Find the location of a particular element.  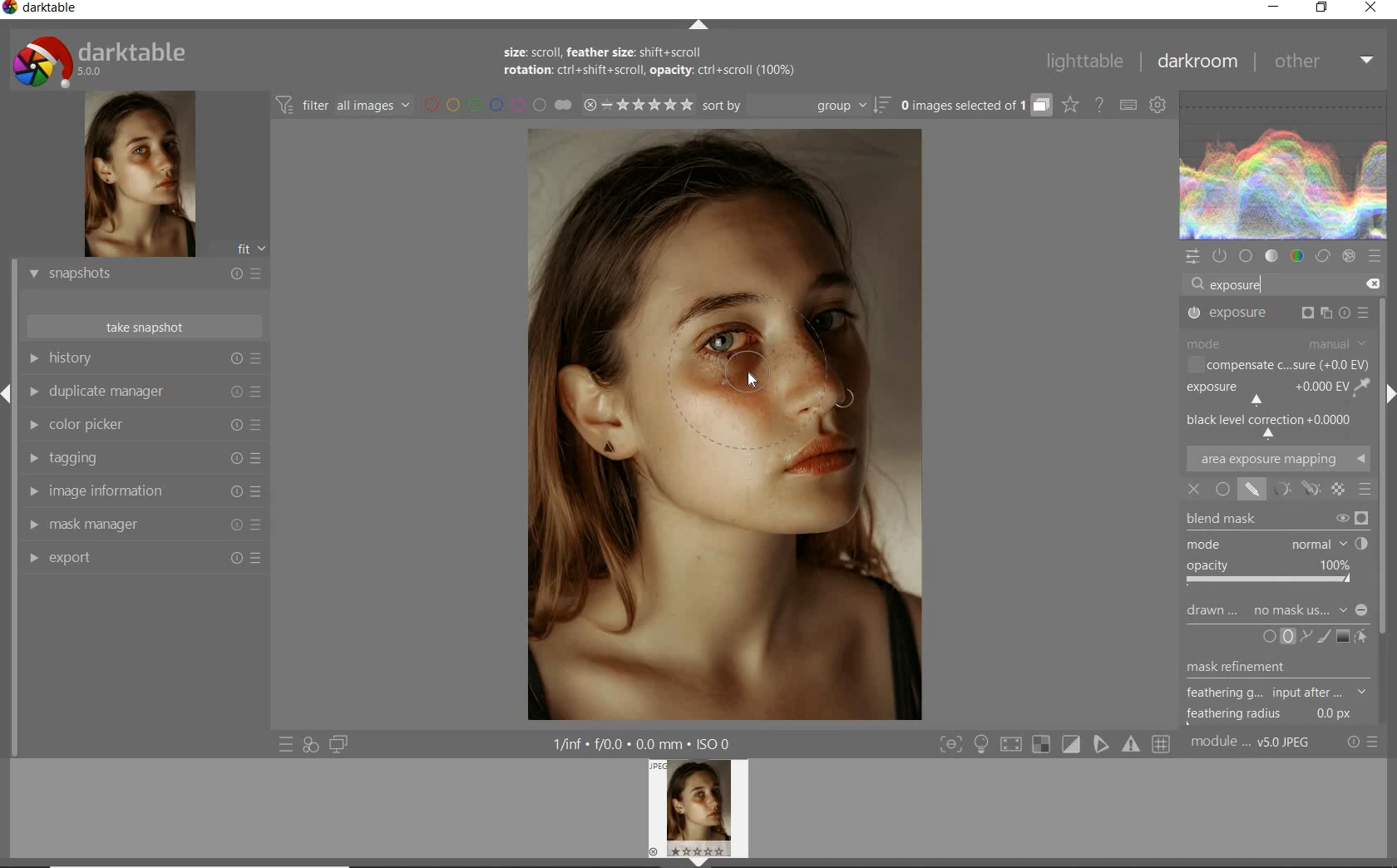

filter by image color is located at coordinates (498, 106).